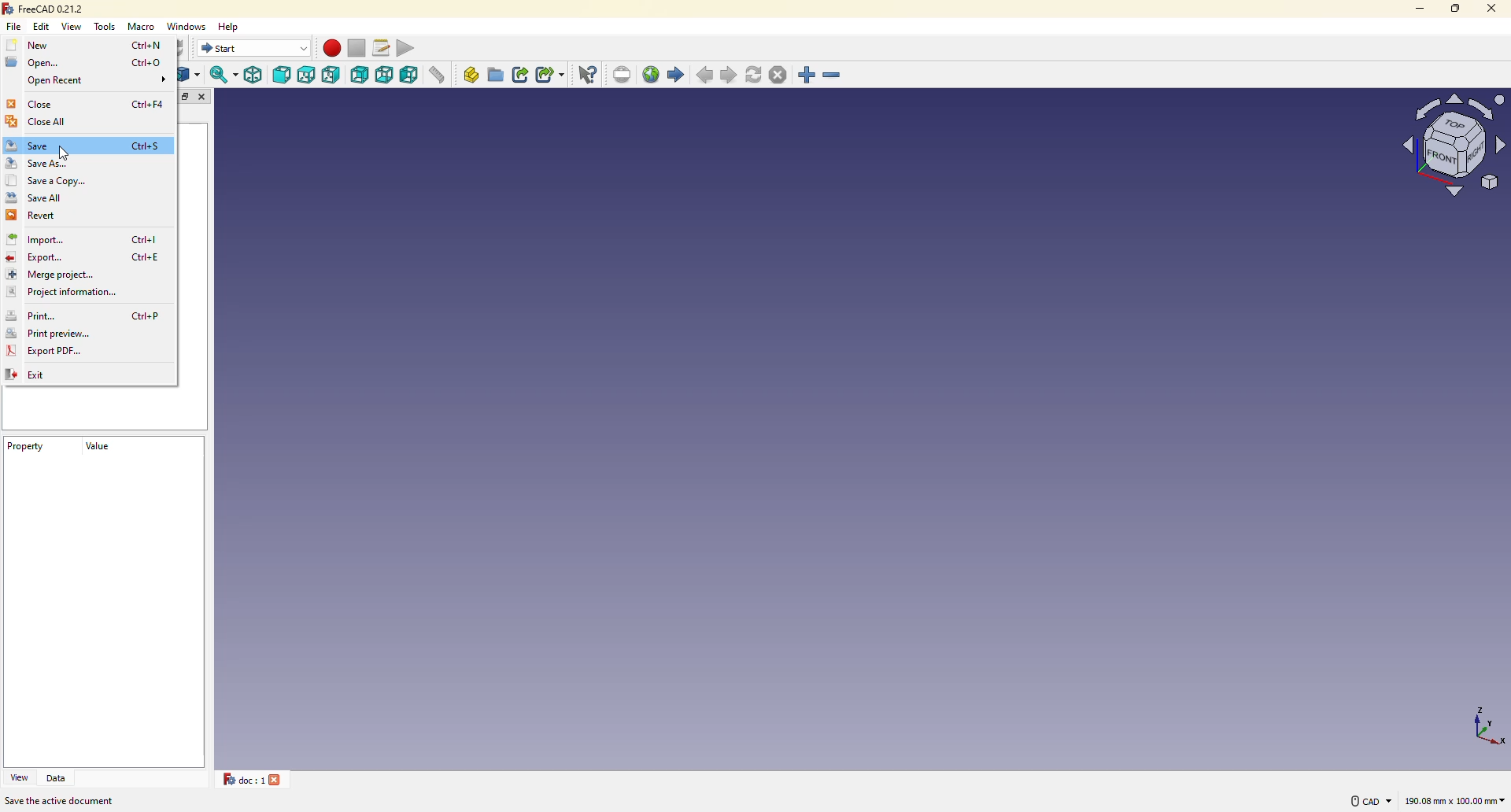  What do you see at coordinates (37, 259) in the screenshot?
I see `export` at bounding box center [37, 259].